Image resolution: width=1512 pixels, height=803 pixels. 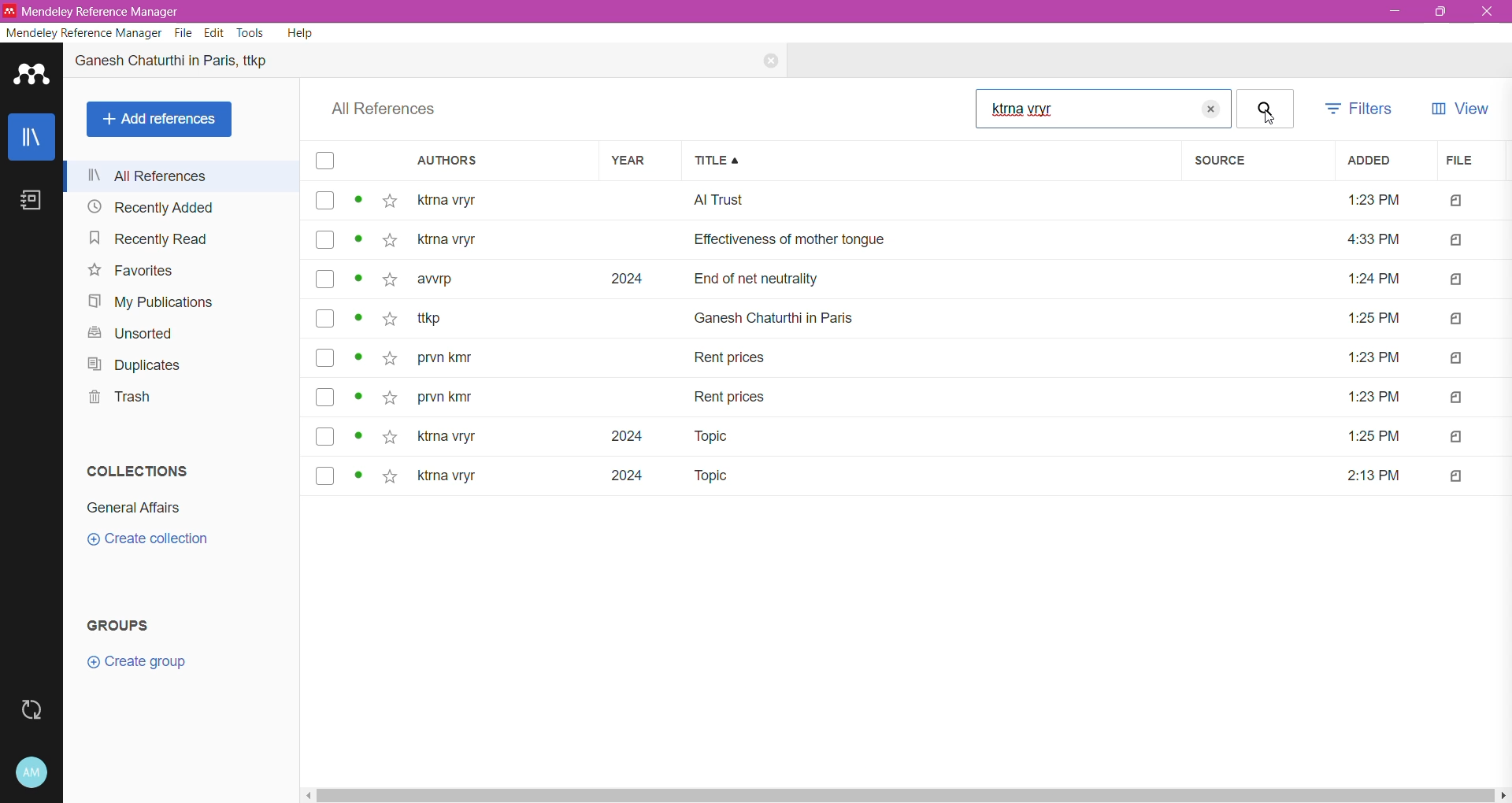 I want to click on Reference Title, so click(x=189, y=62).